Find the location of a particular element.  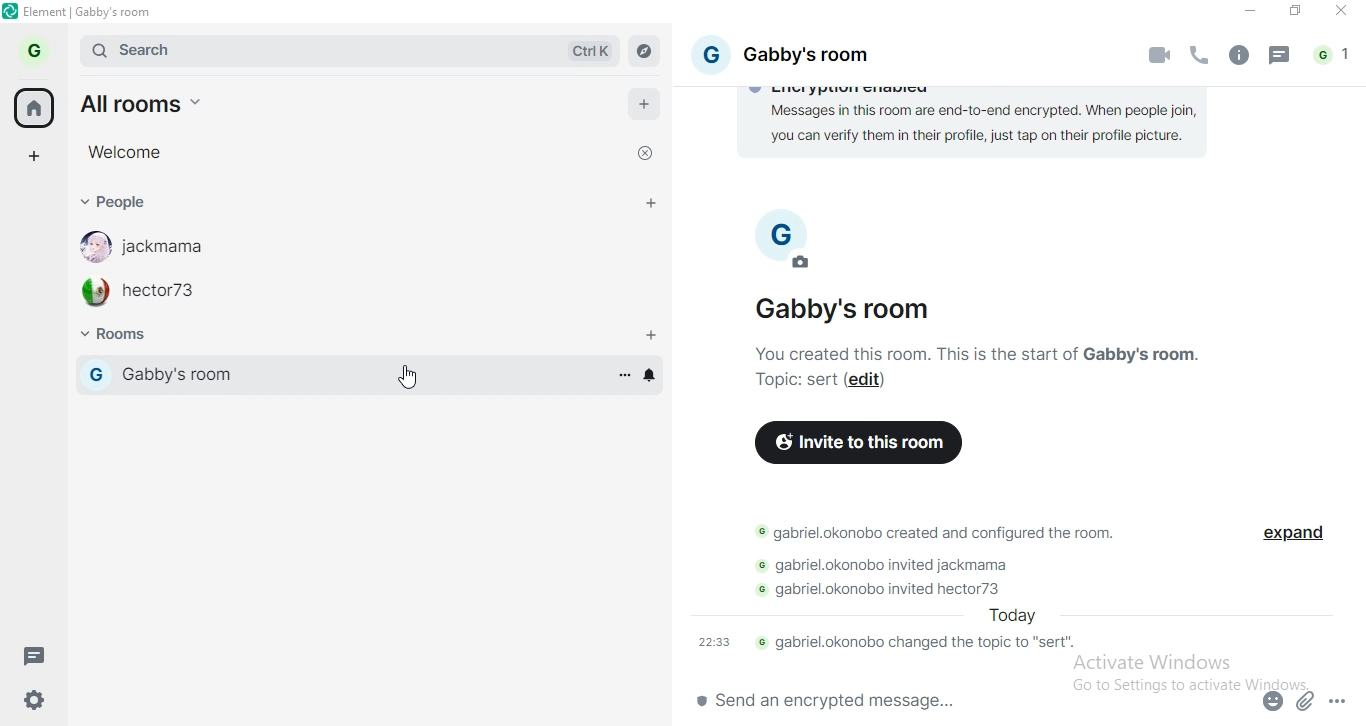

element is located at coordinates (90, 13).